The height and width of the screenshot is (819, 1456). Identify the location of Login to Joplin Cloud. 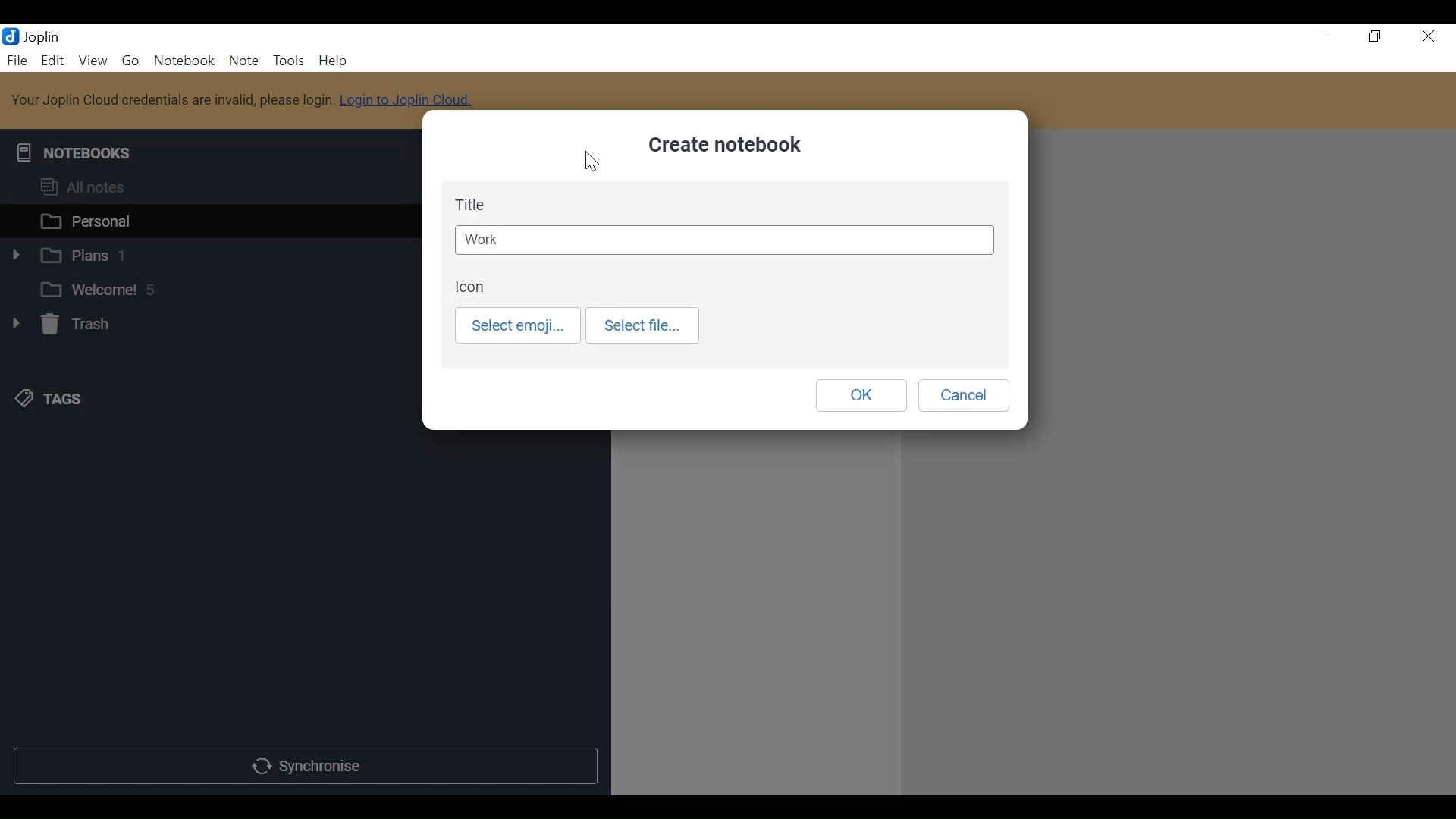
(405, 106).